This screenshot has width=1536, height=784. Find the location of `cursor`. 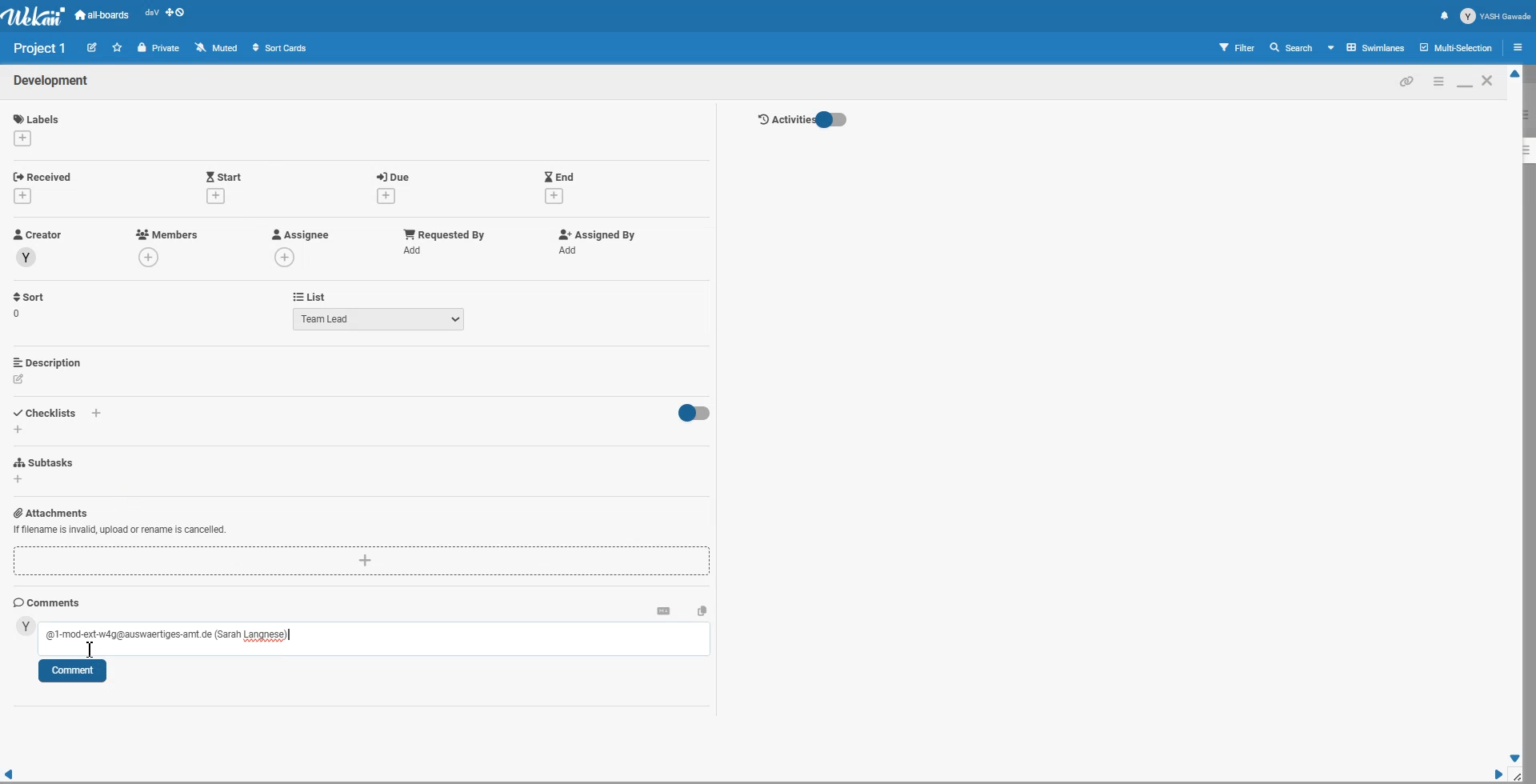

cursor is located at coordinates (91, 652).